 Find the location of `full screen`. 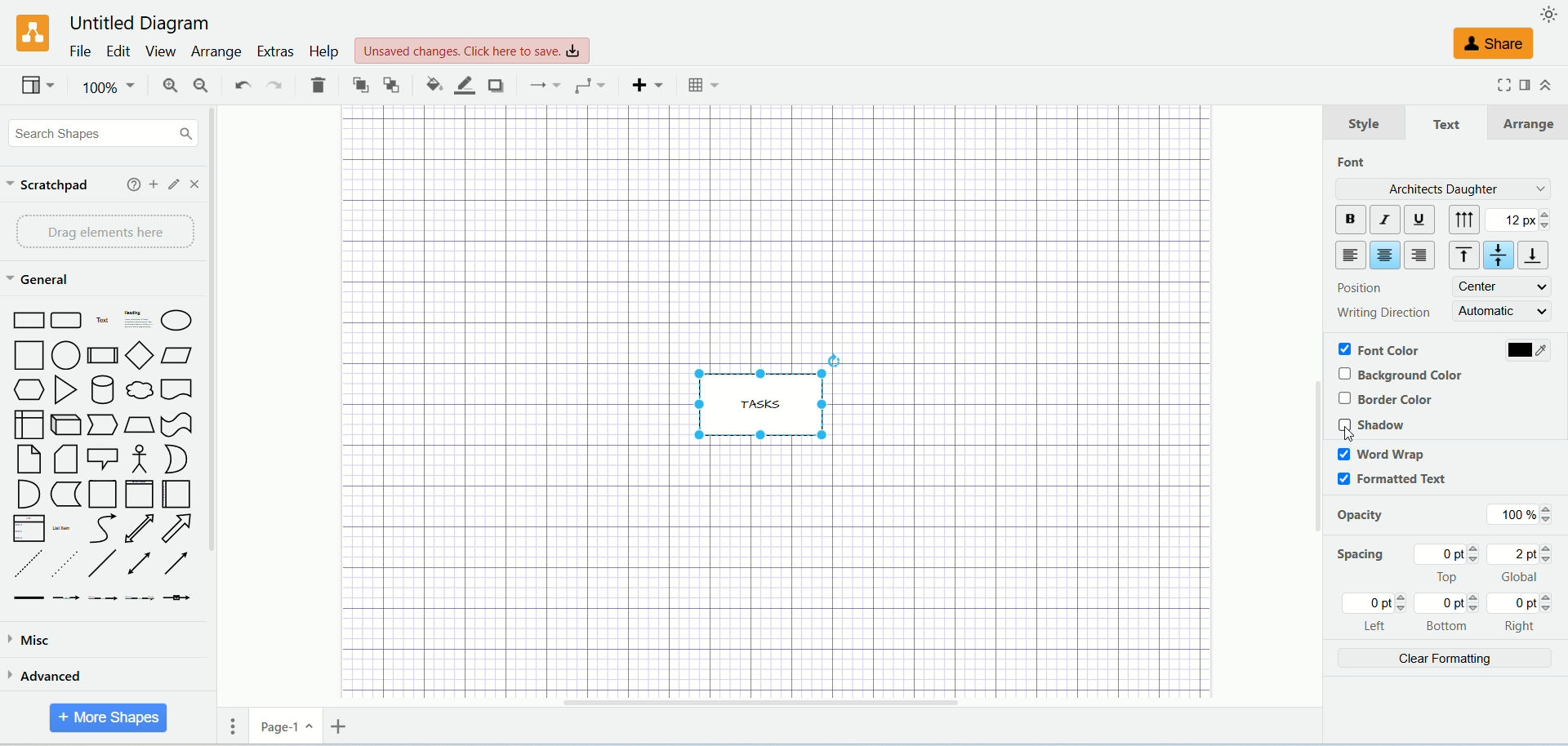

full screen is located at coordinates (1498, 86).